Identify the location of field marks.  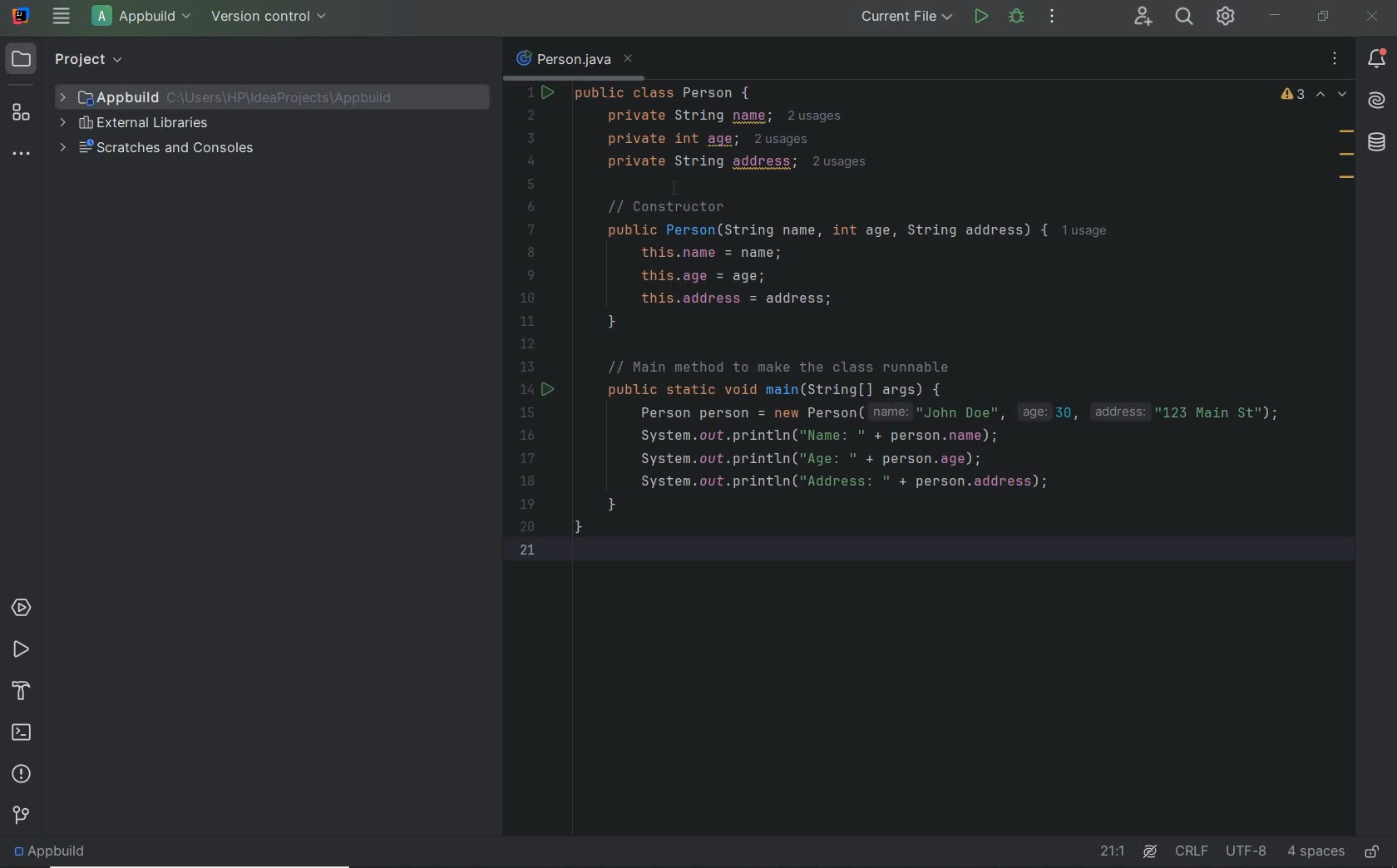
(1346, 157).